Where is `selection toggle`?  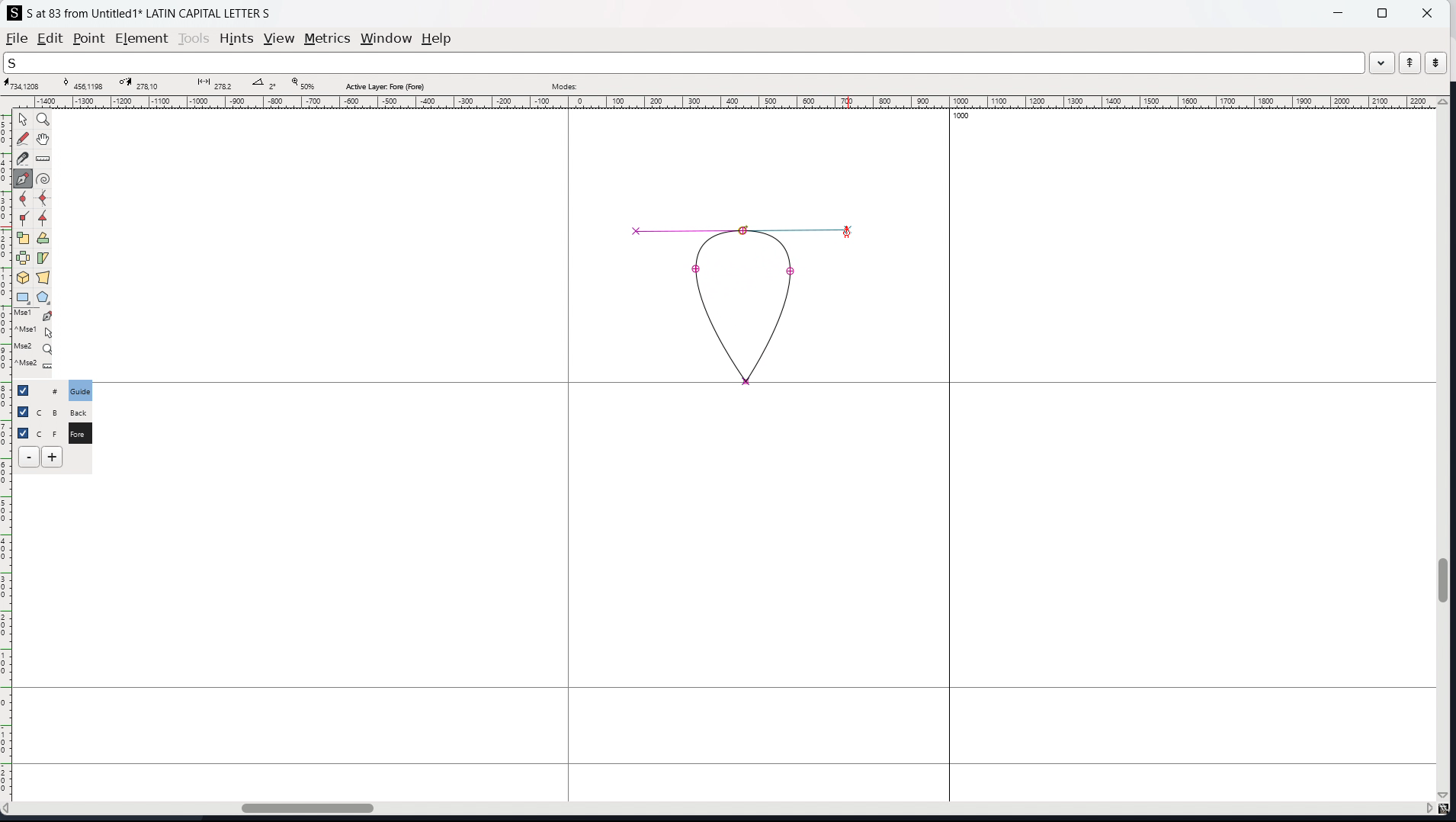
selection toggle is located at coordinates (24, 432).